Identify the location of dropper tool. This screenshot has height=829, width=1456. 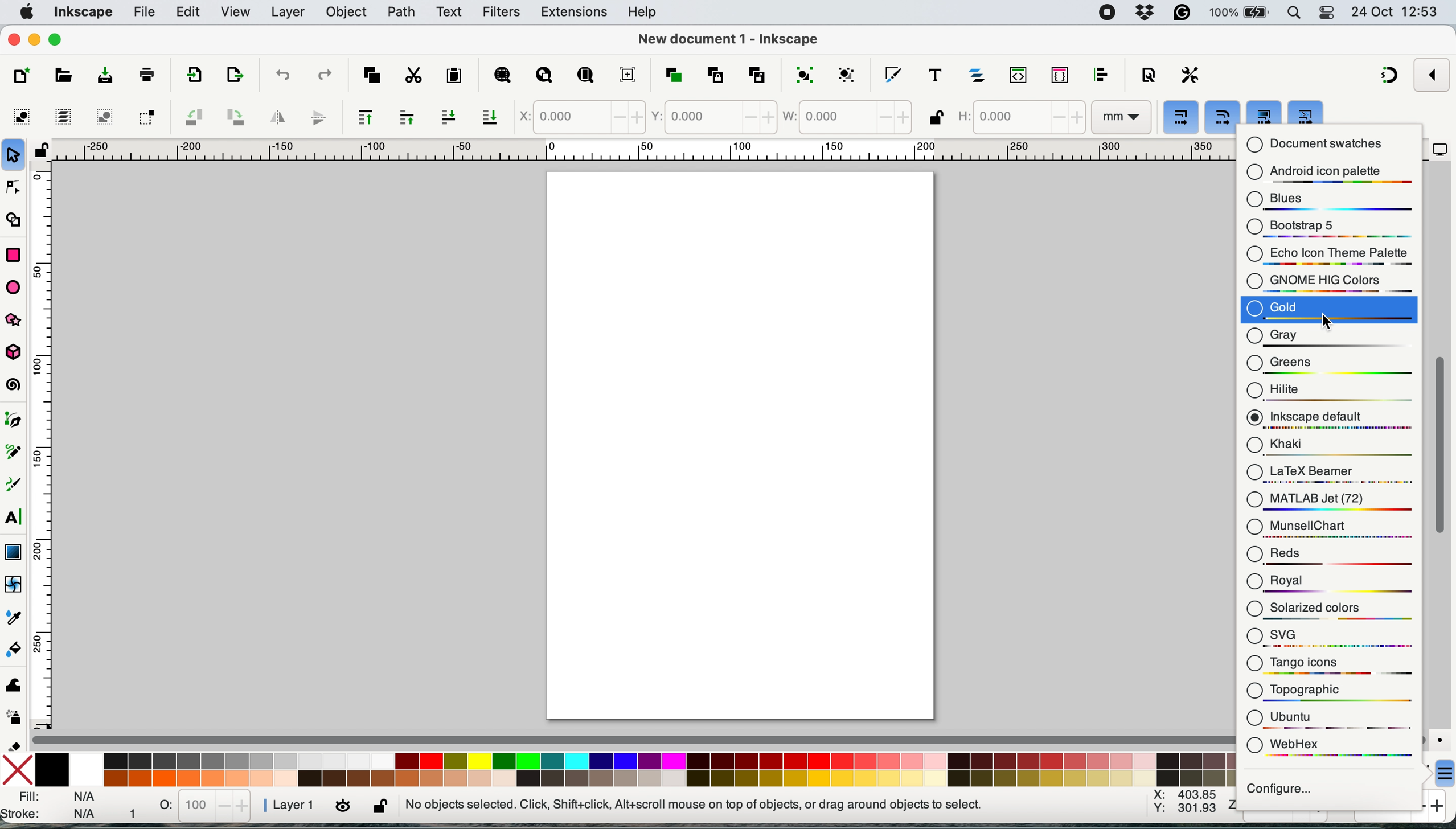
(14, 616).